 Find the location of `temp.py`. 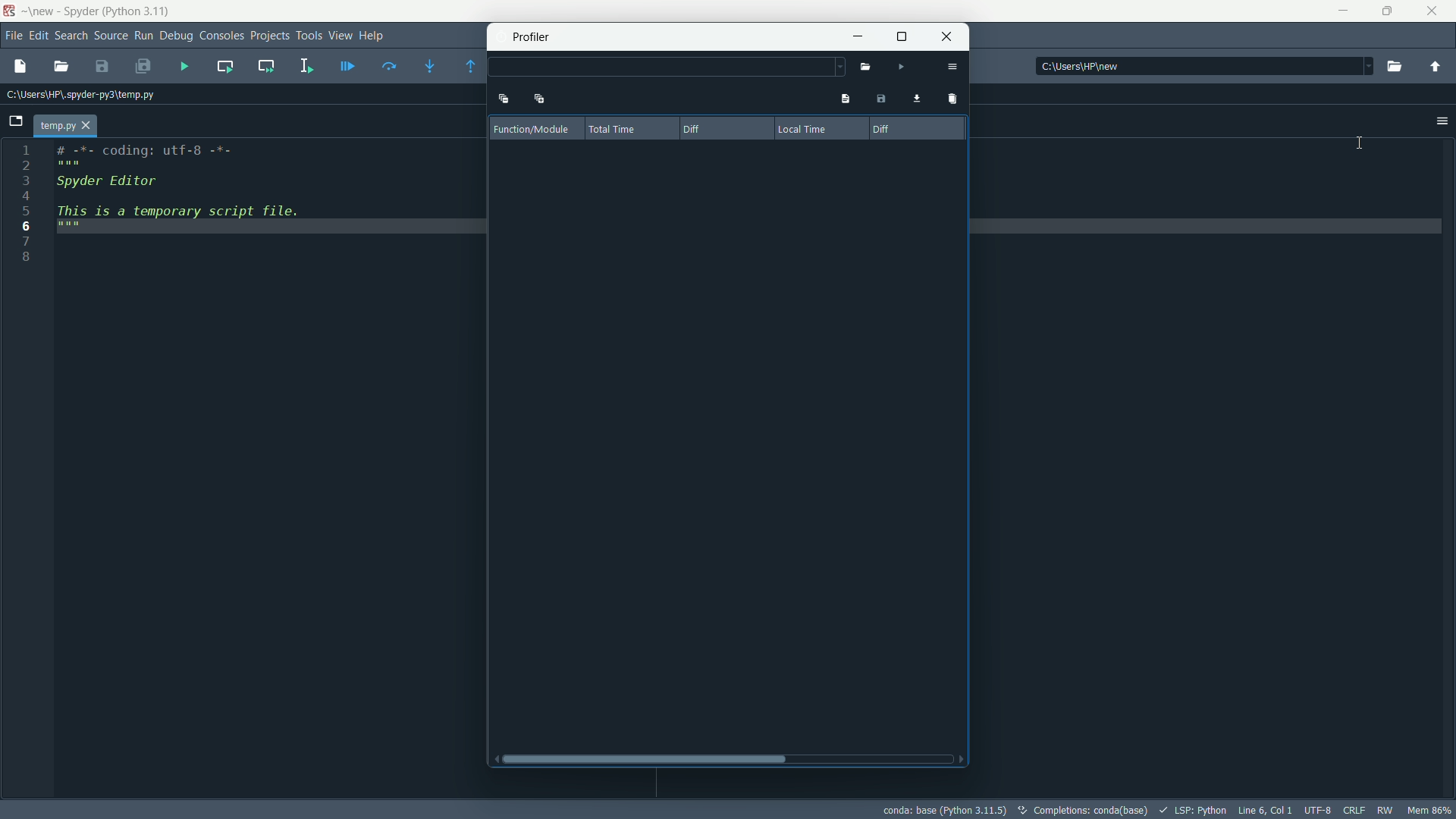

temp.py is located at coordinates (67, 124).